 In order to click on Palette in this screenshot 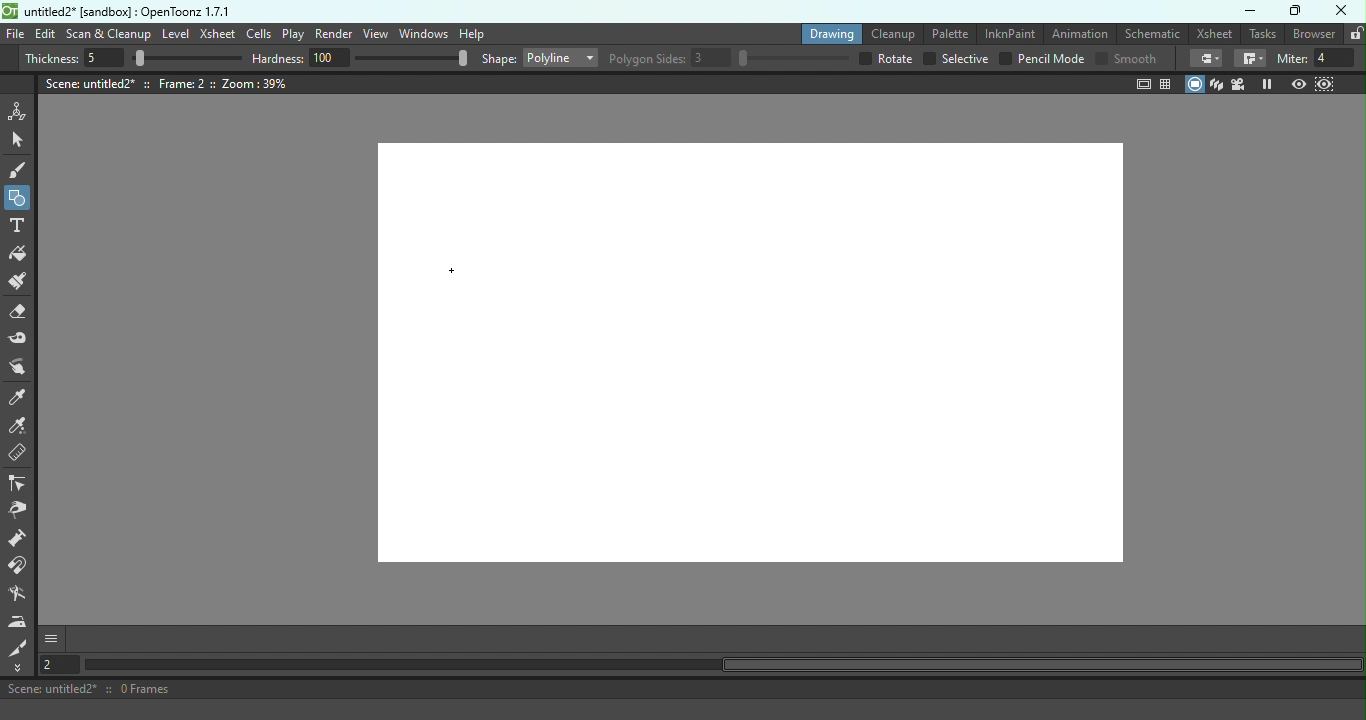, I will do `click(946, 34)`.